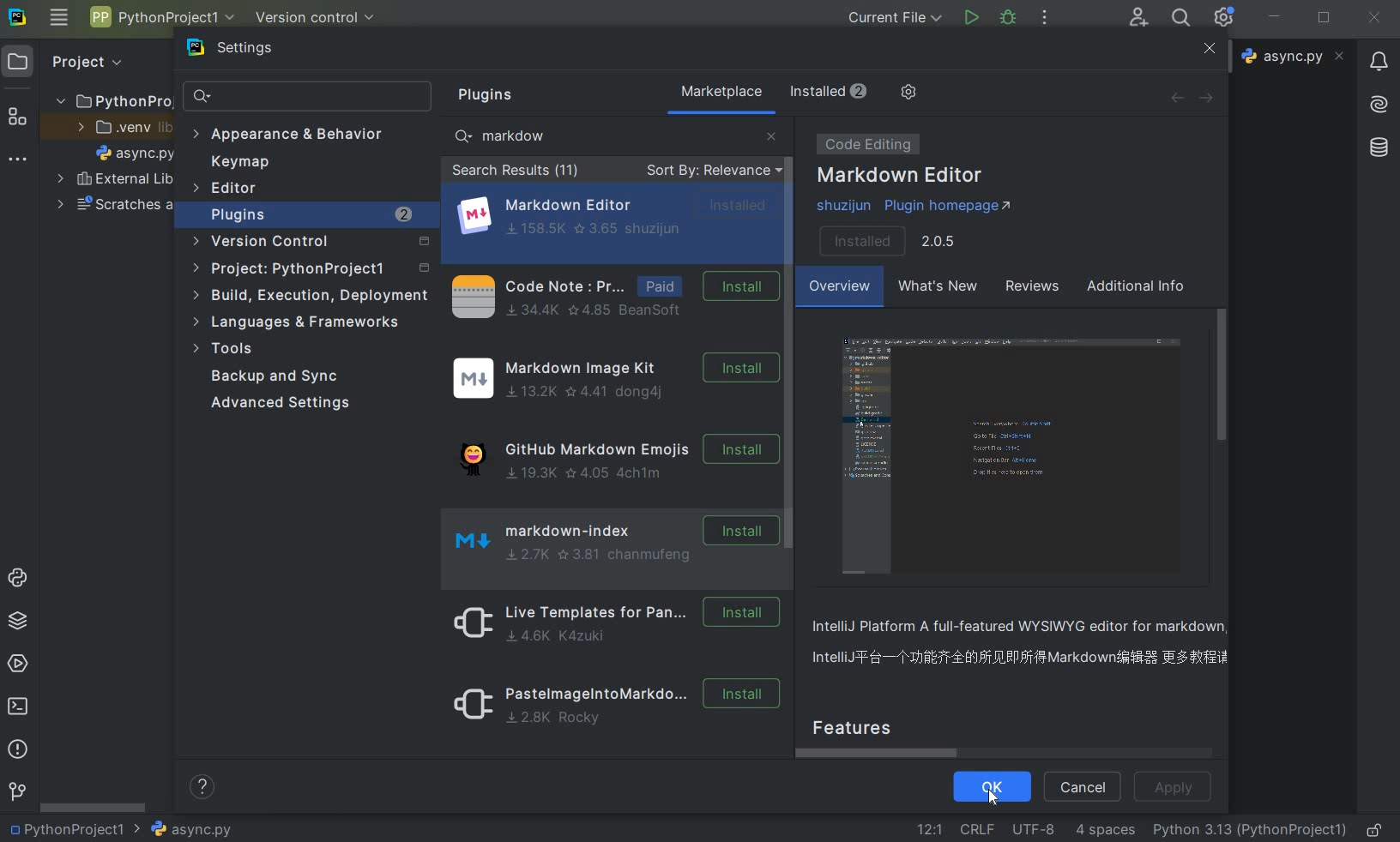 The image size is (1400, 842). I want to click on apply, so click(1176, 788).